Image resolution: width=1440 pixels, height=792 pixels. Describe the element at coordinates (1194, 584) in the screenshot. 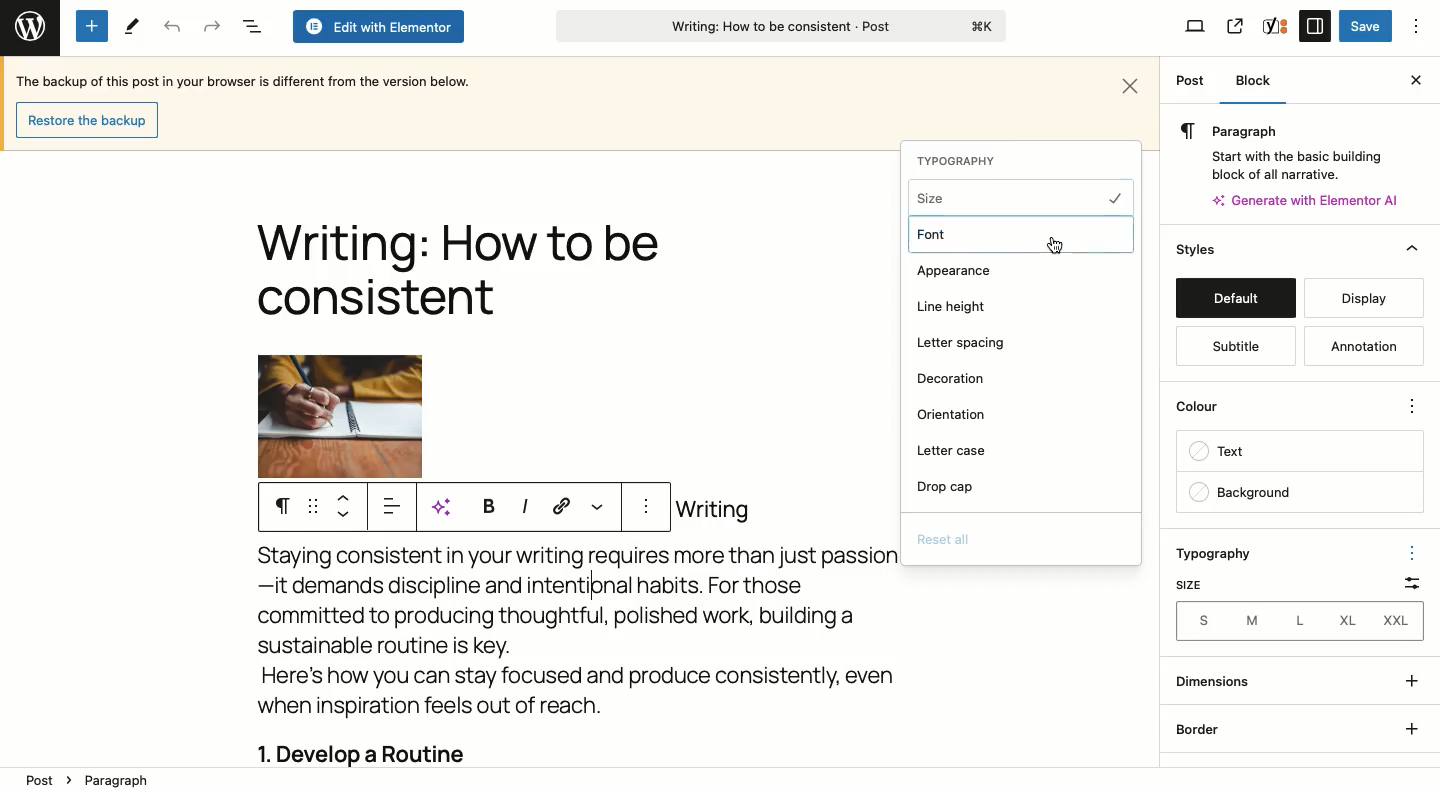

I see `Size` at that location.